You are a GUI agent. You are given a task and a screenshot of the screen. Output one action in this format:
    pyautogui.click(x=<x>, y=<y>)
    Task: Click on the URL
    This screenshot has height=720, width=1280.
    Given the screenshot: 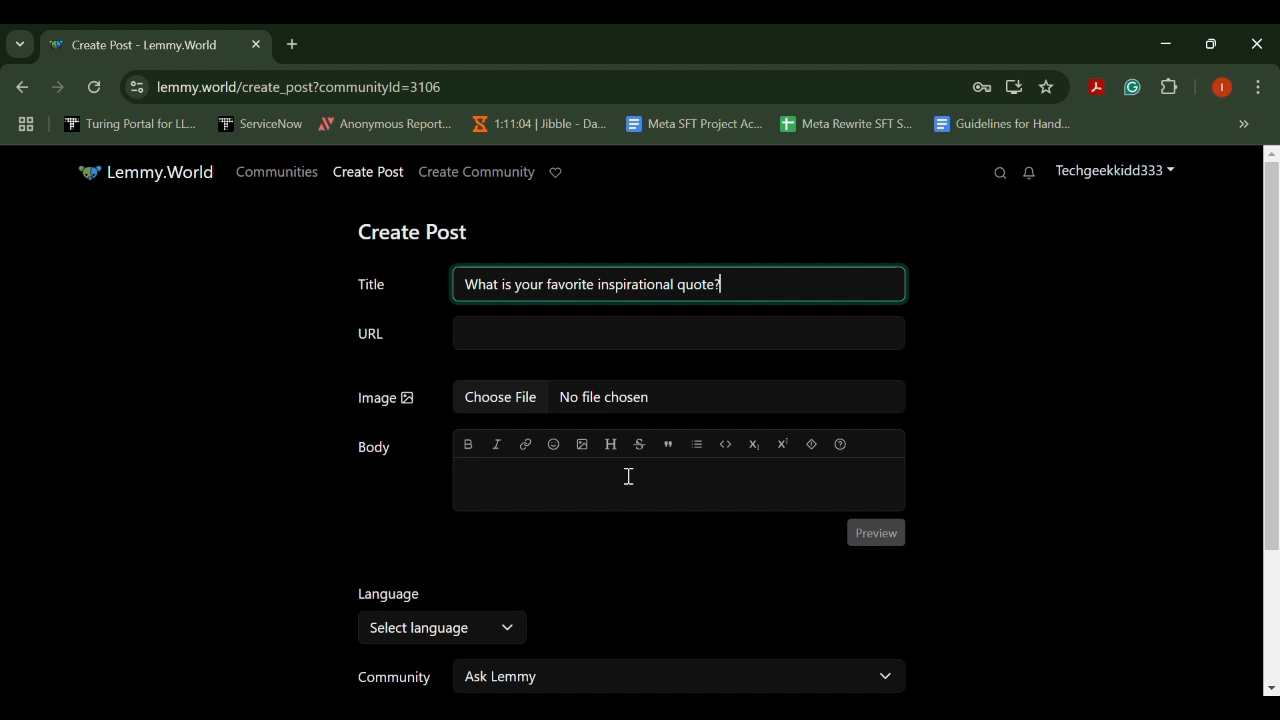 What is the action you would take?
    pyautogui.click(x=630, y=334)
    